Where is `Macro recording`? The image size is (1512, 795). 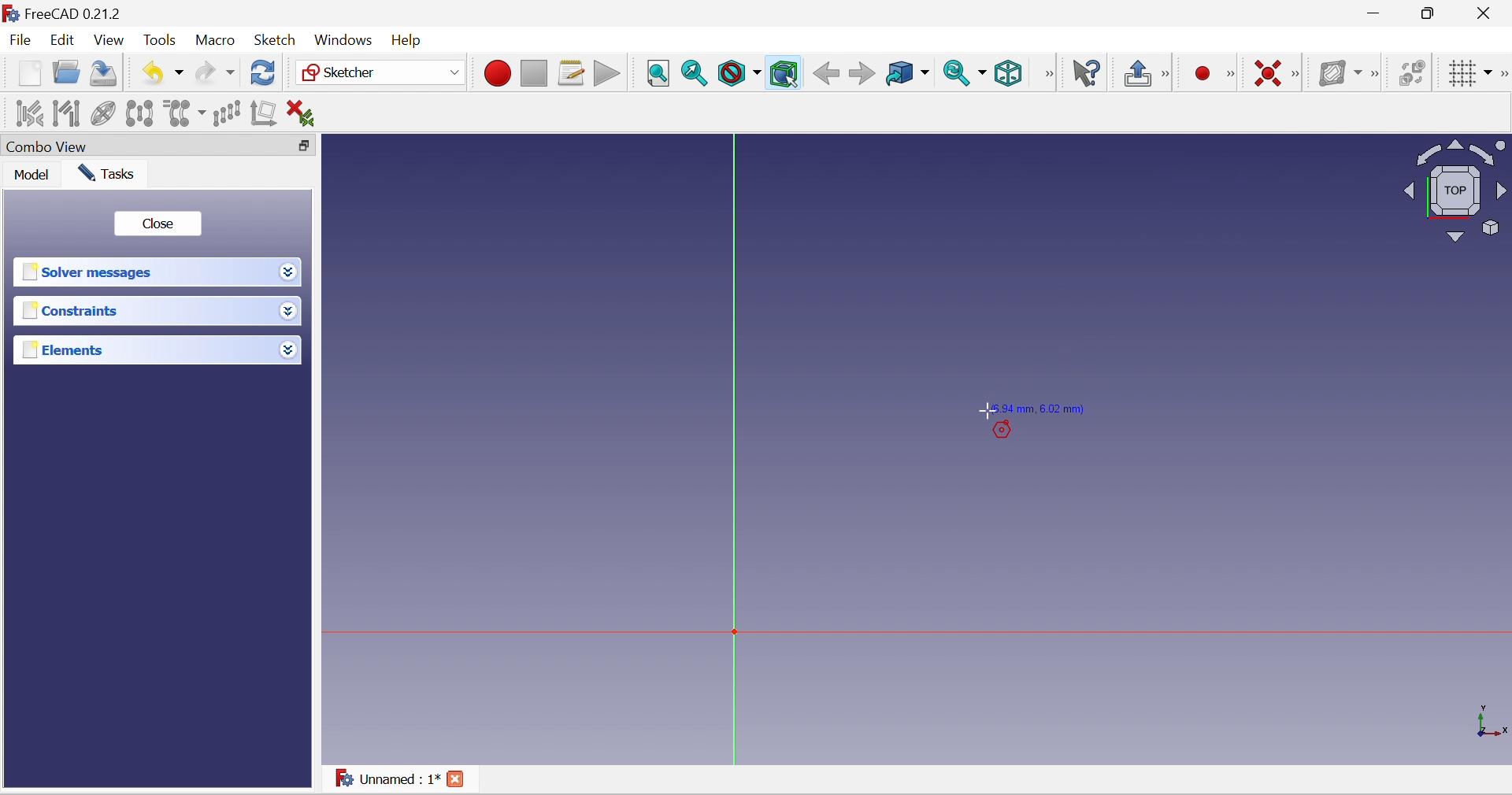
Macro recording is located at coordinates (496, 72).